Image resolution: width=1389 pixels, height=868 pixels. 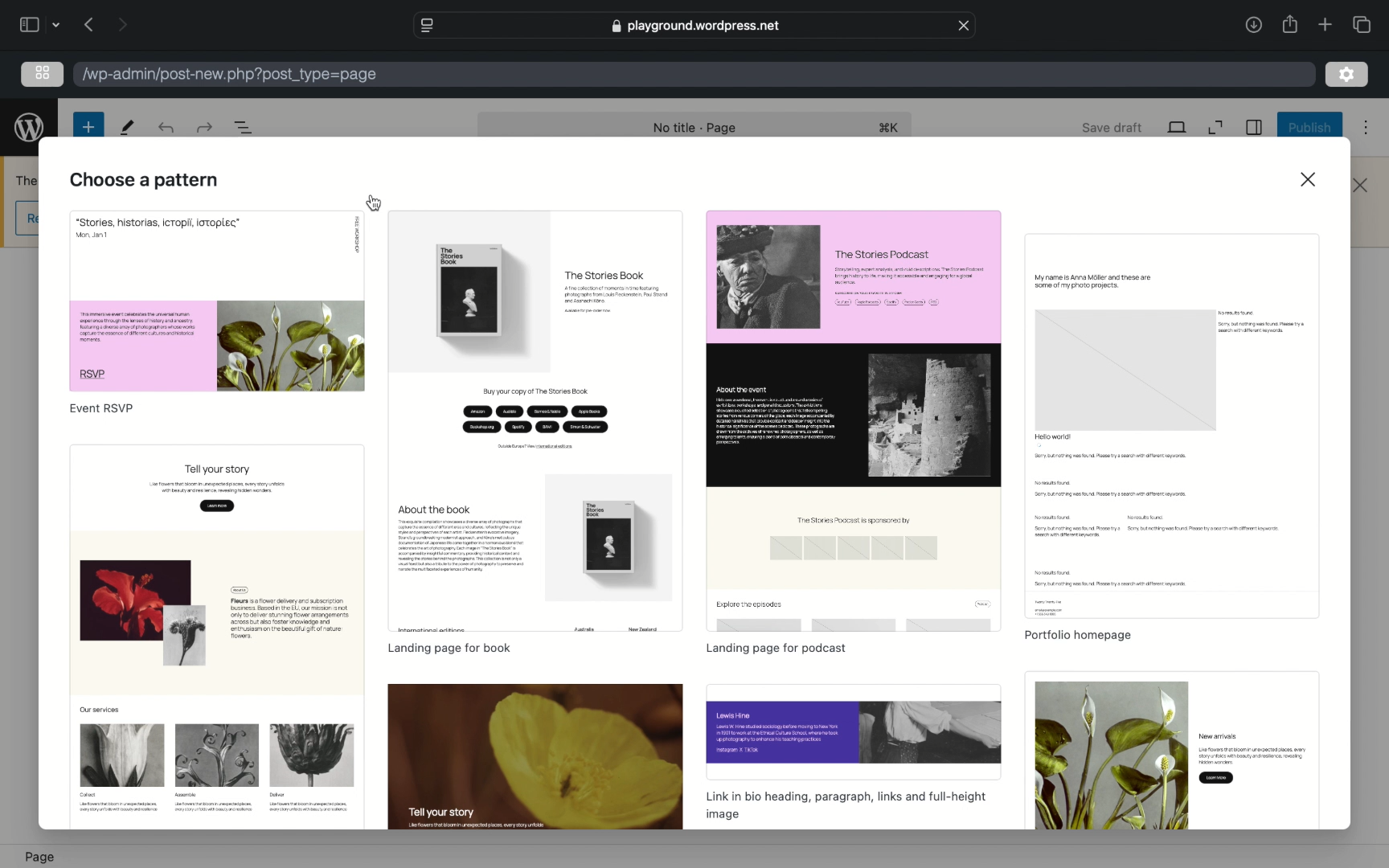 I want to click on landing page for book, so click(x=450, y=649).